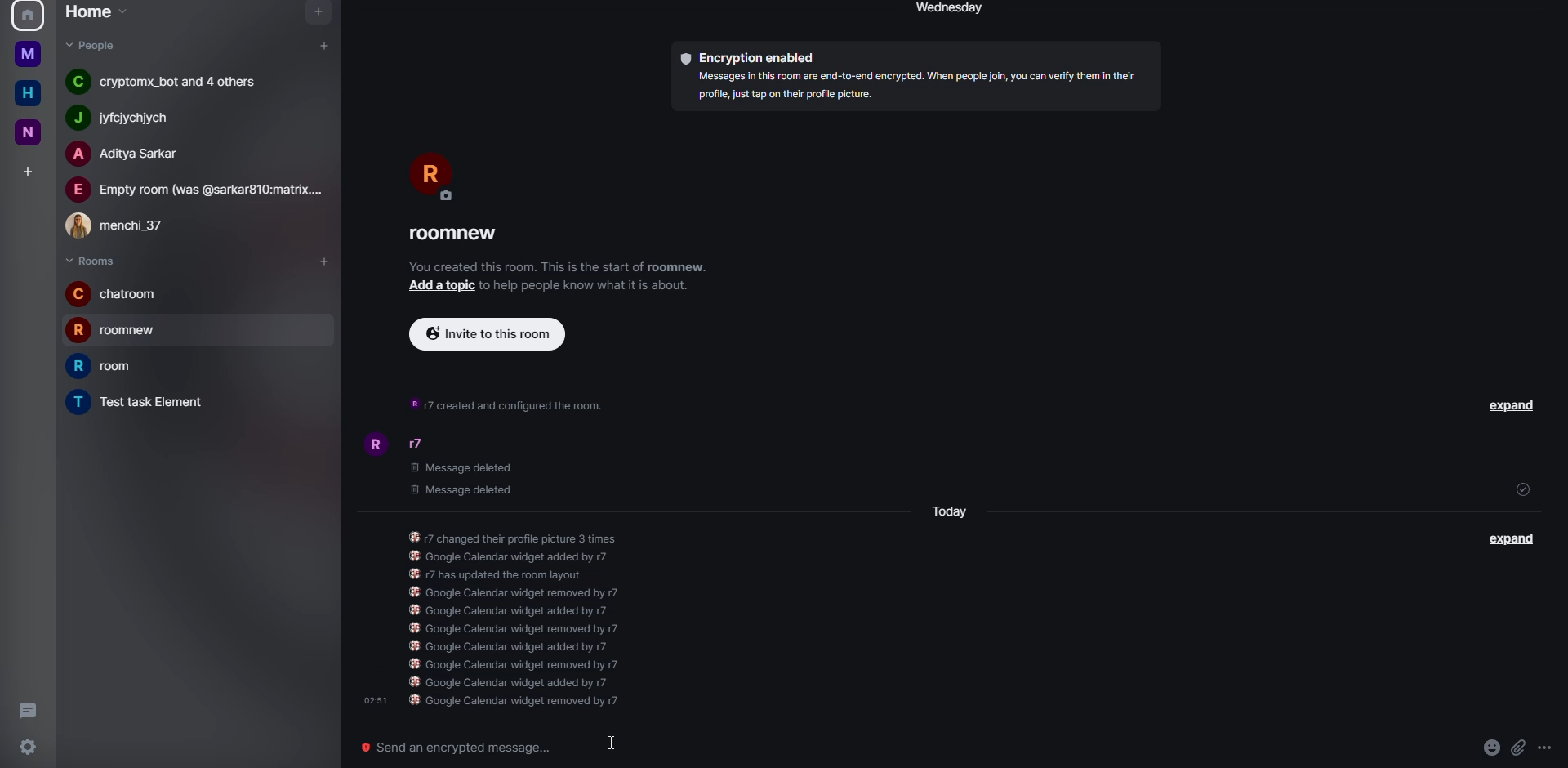 The width and height of the screenshot is (1568, 768). I want to click on deleted, so click(462, 479).